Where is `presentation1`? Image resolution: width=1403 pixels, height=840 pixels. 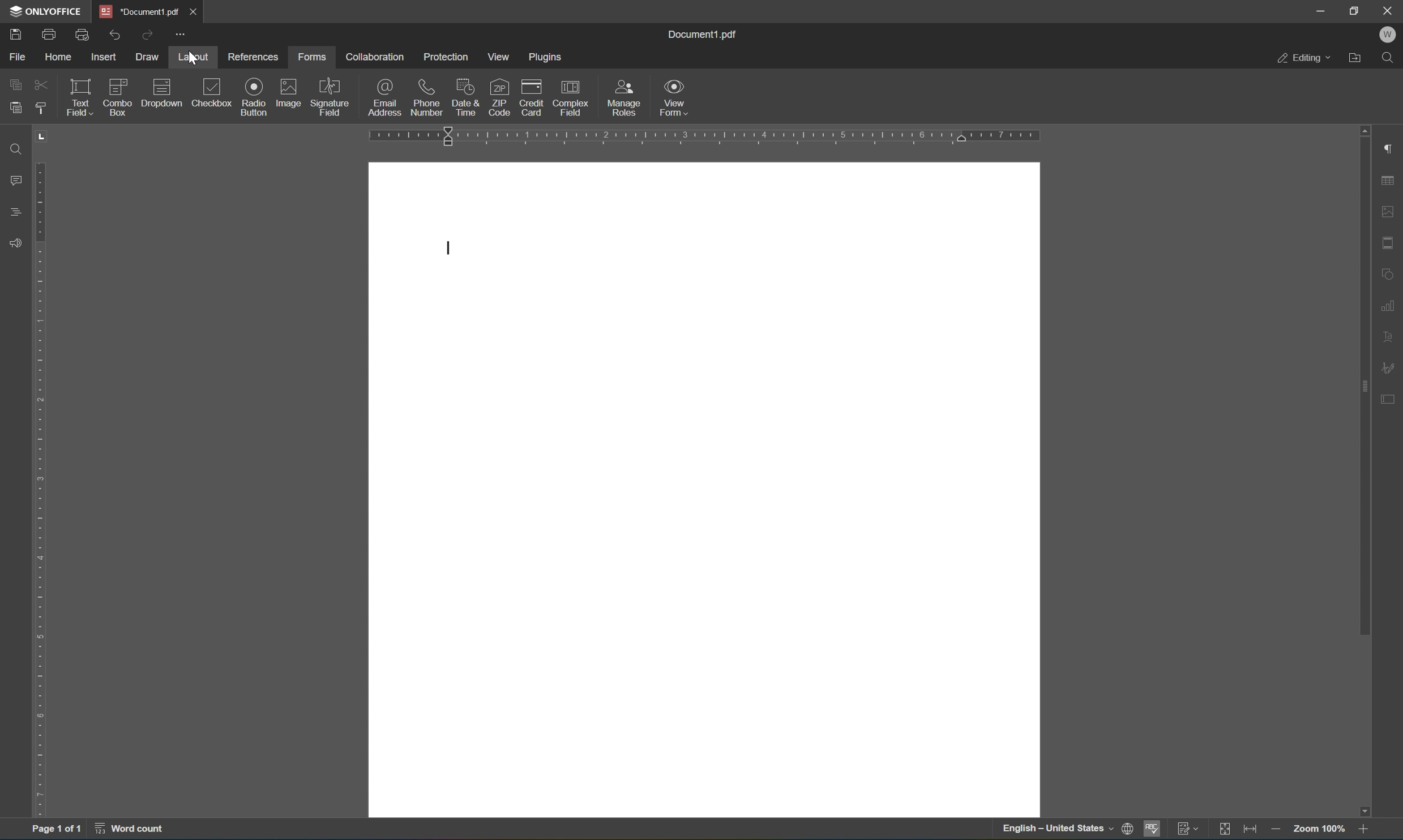
presentation1 is located at coordinates (139, 11).